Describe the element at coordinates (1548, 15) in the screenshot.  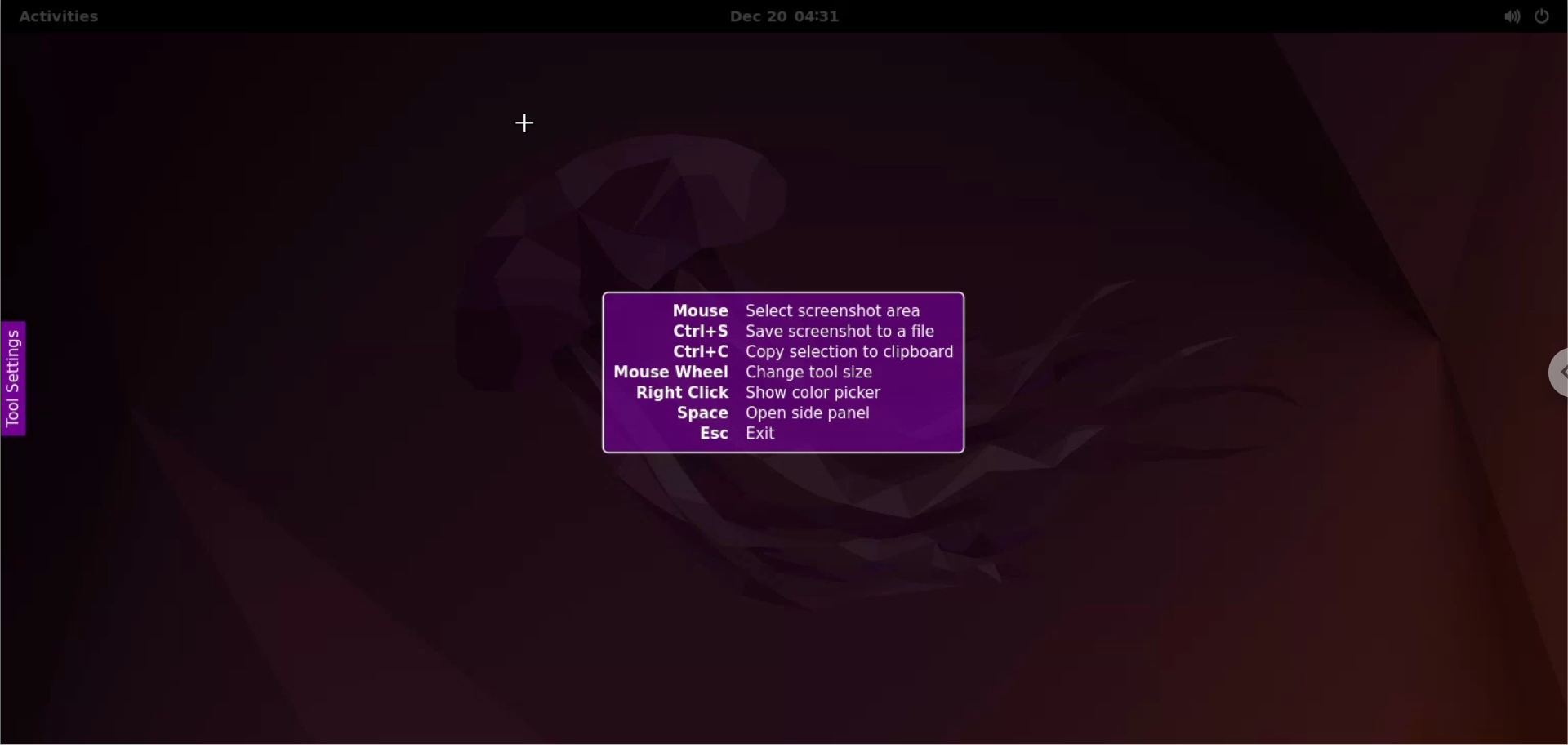
I see `power setting options` at that location.